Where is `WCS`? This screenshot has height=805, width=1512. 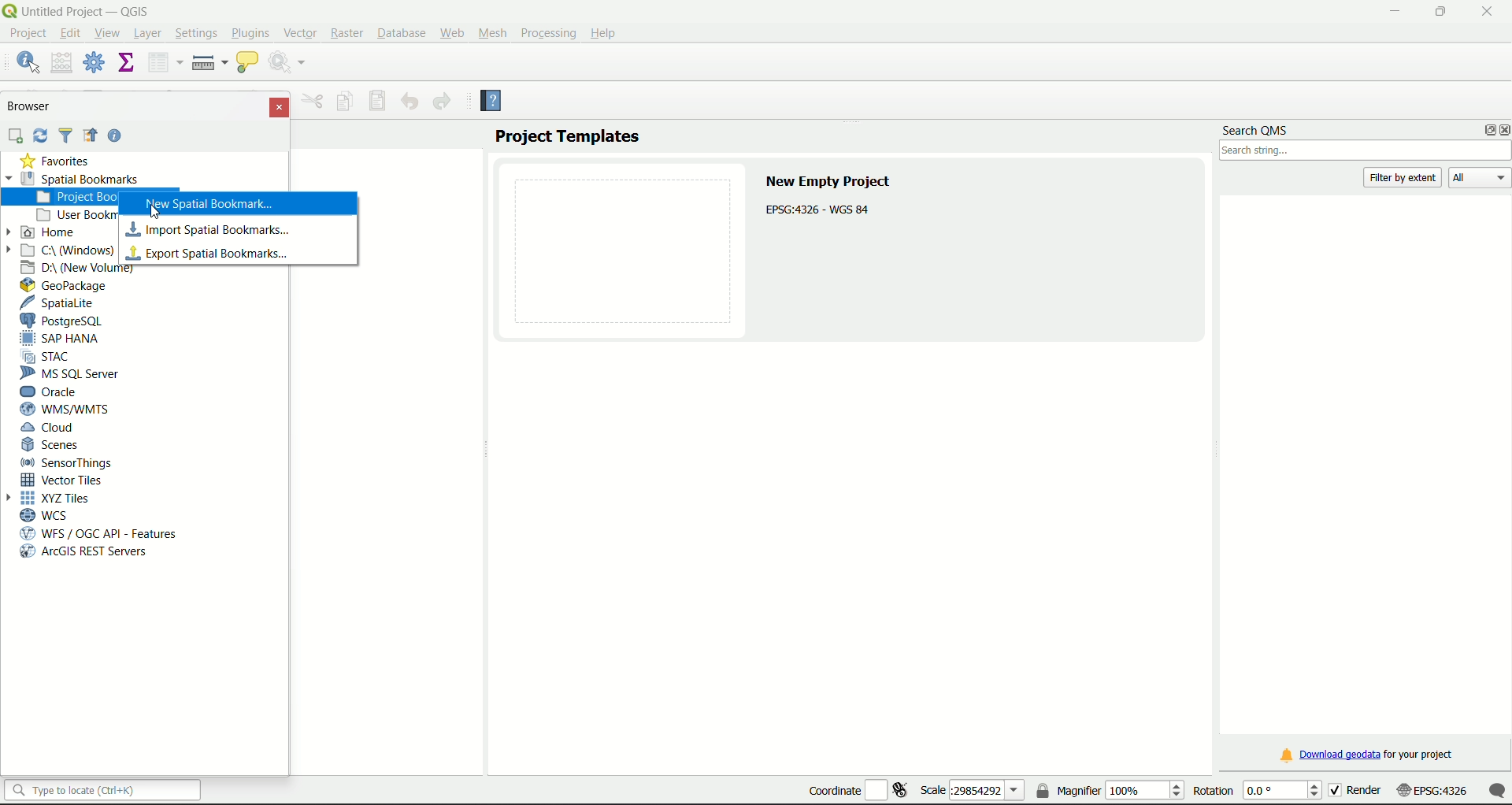
WCS is located at coordinates (50, 516).